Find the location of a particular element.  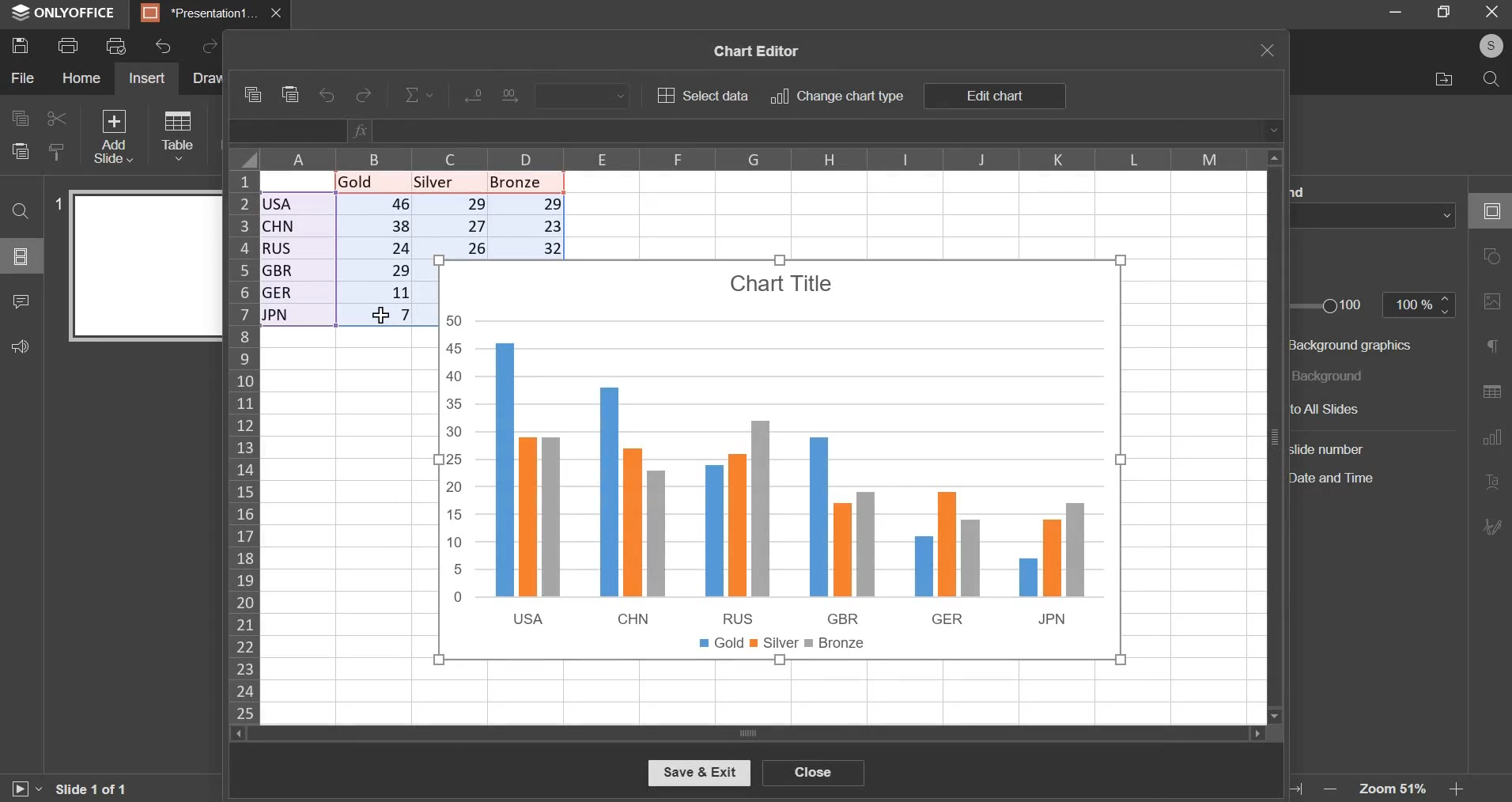

to all slides is located at coordinates (1351, 409).